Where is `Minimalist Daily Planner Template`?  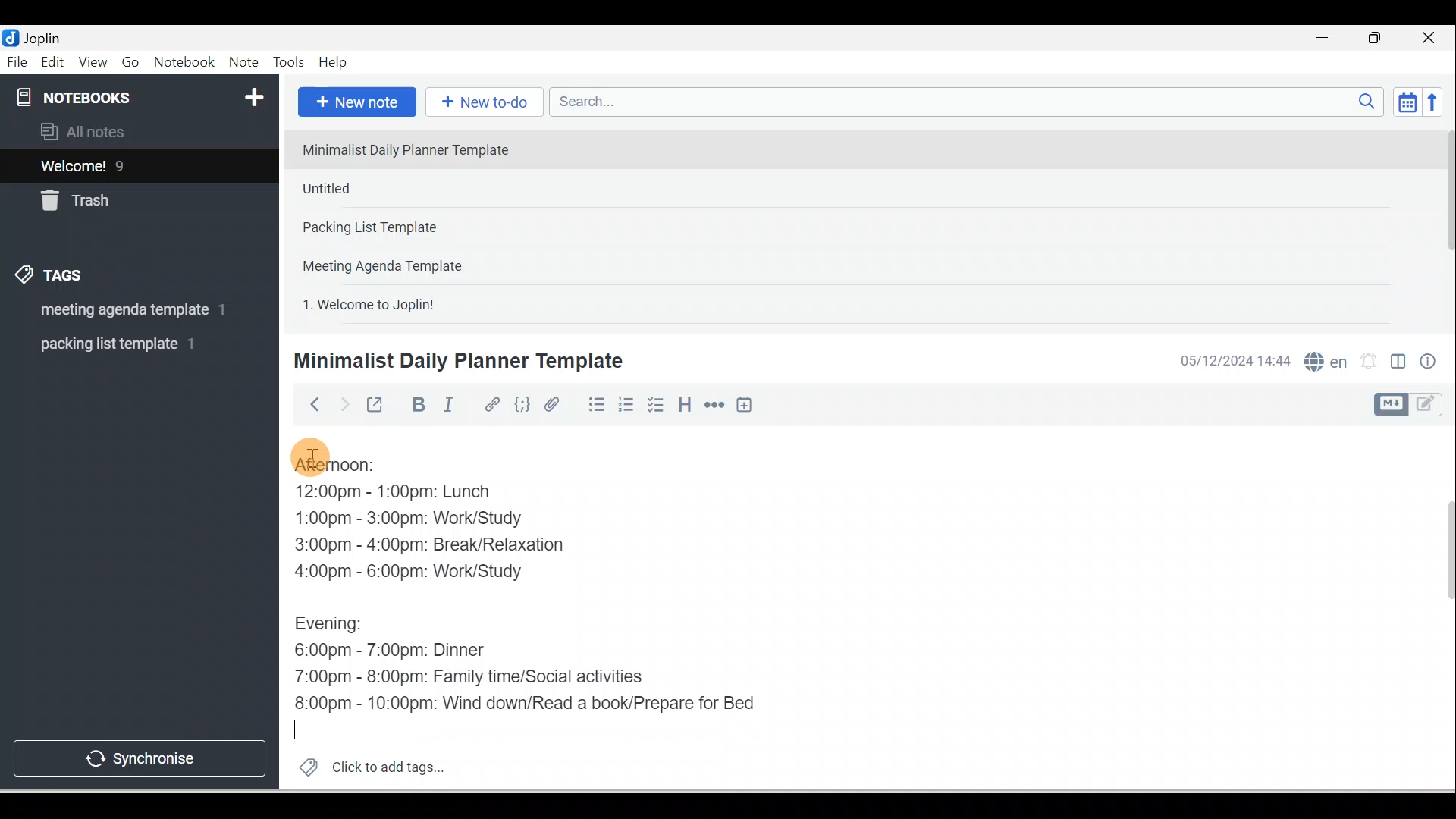
Minimalist Daily Planner Template is located at coordinates (456, 361).